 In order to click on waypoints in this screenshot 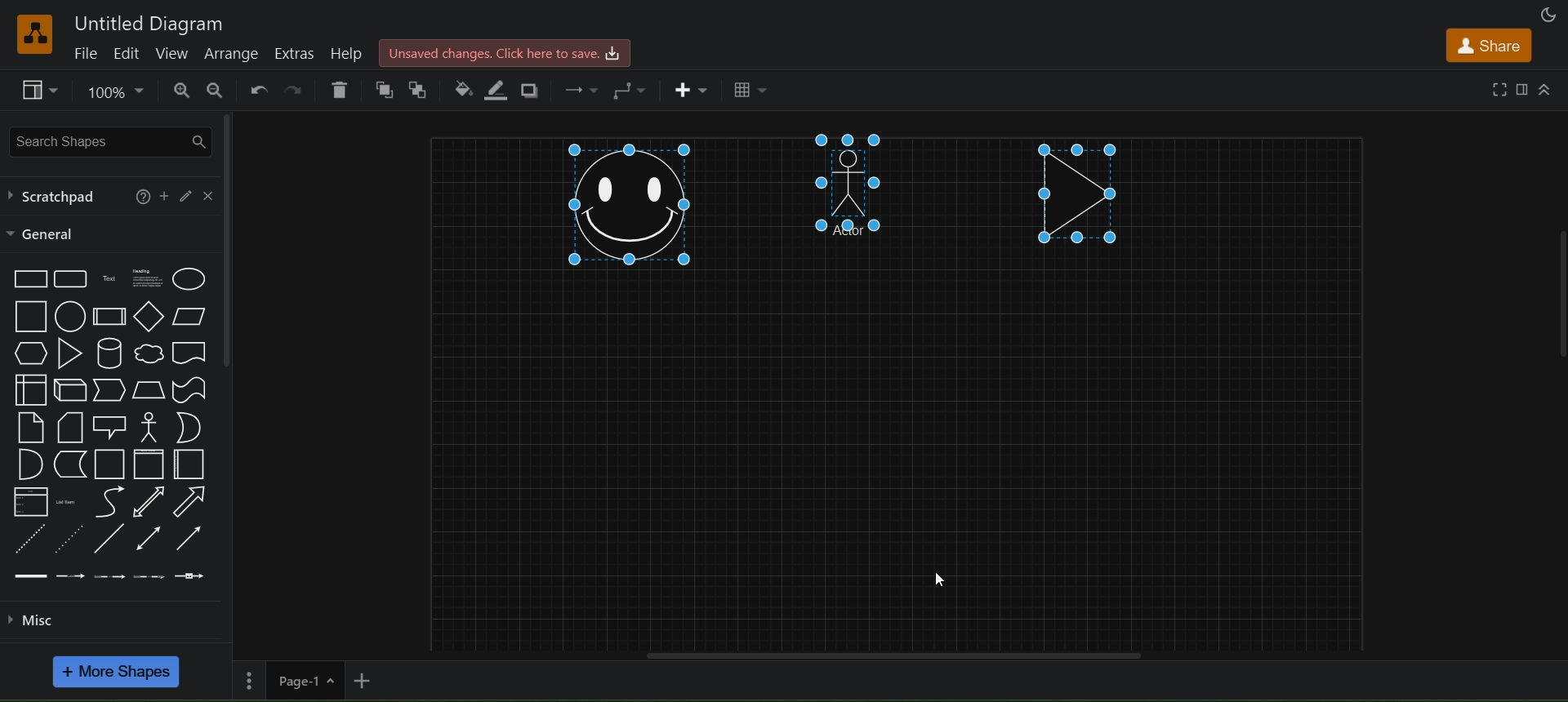, I will do `click(632, 89)`.